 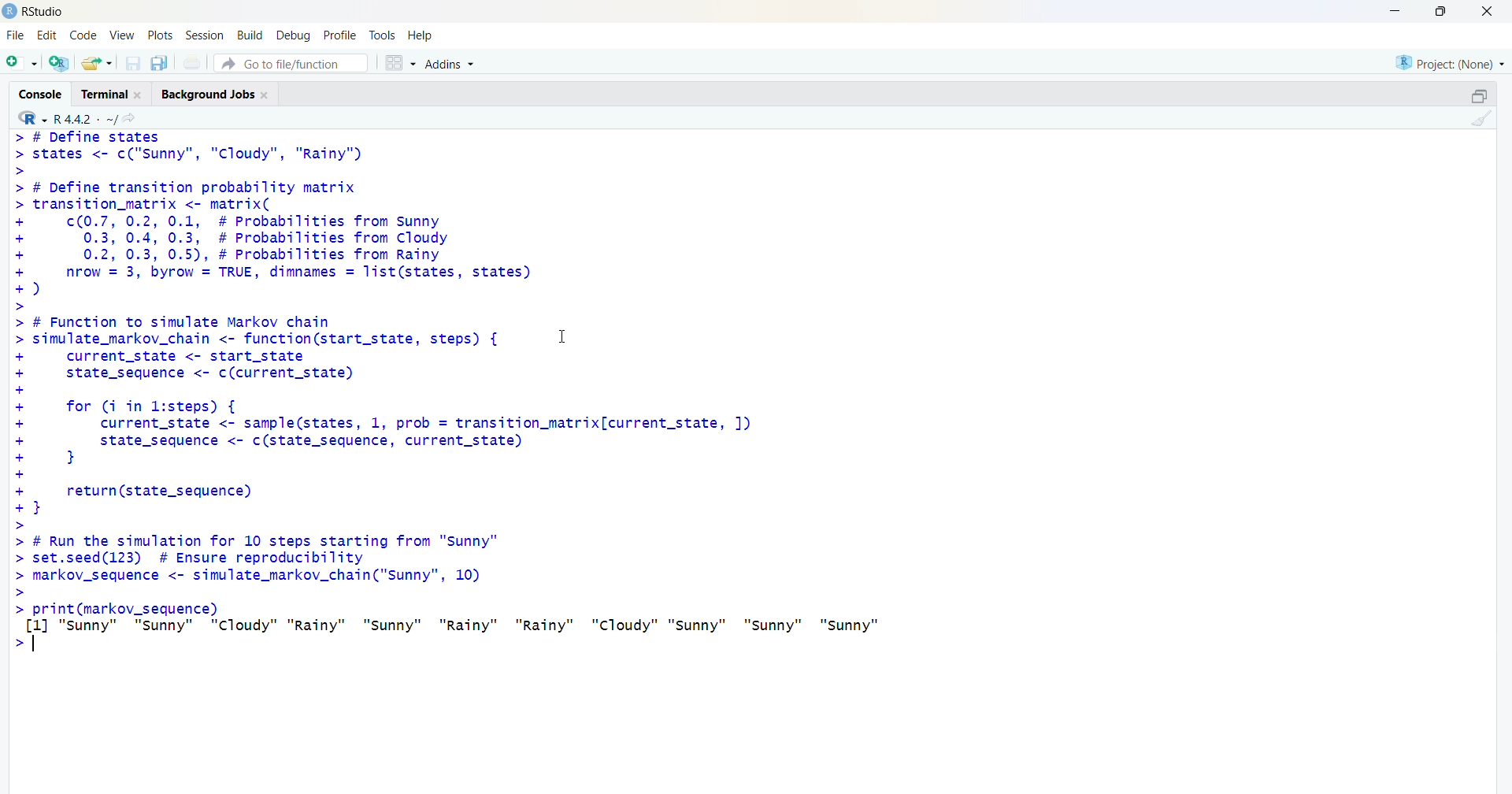 I want to click on project (None), so click(x=1448, y=61).